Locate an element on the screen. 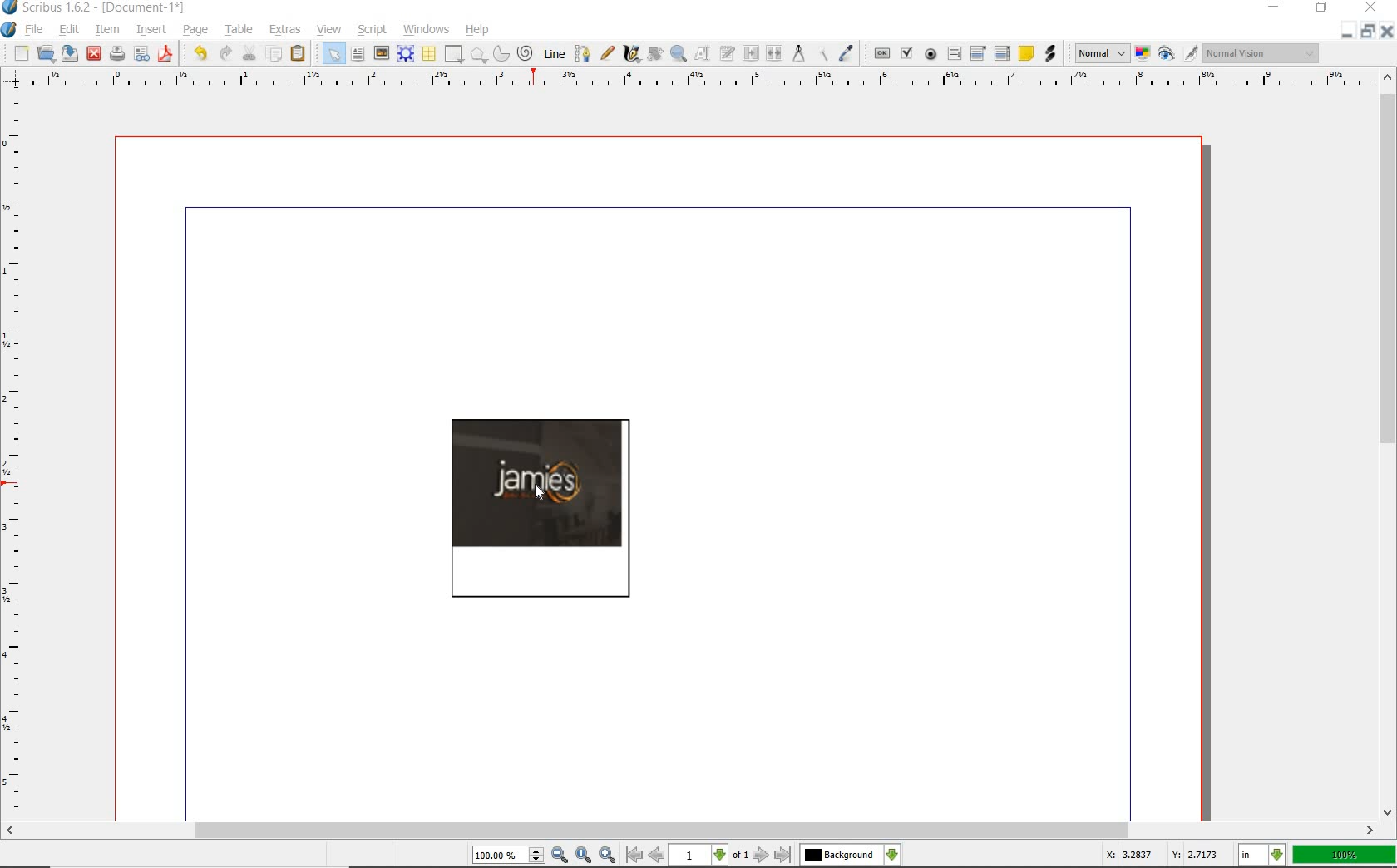 The width and height of the screenshot is (1397, 868). pdf radio button is located at coordinates (932, 54).